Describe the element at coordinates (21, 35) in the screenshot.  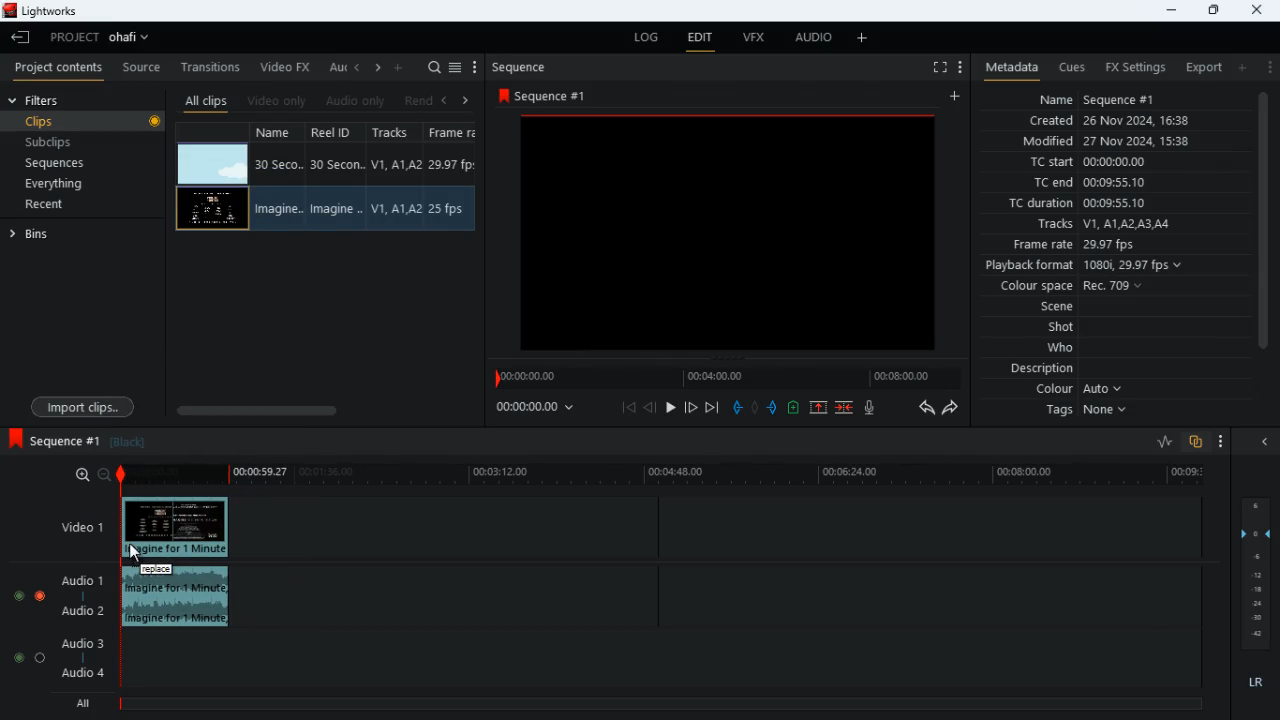
I see `leave` at that location.